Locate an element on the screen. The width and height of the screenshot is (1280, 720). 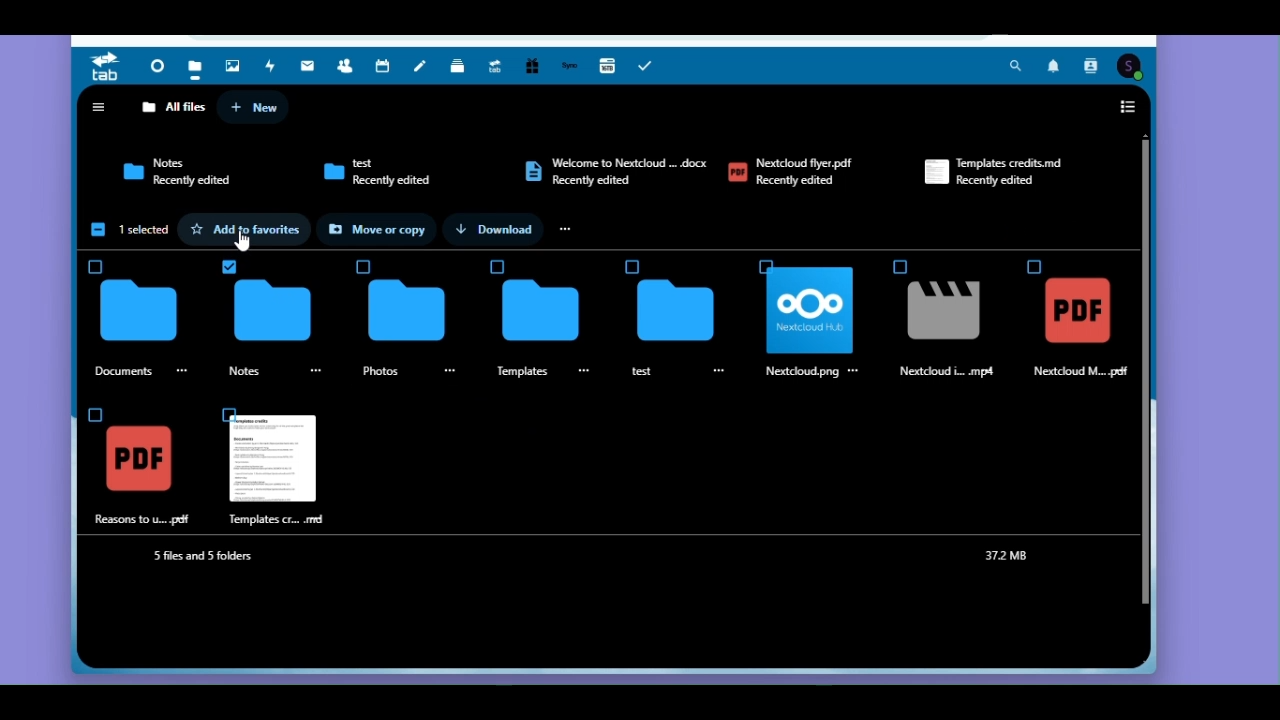
Photos is located at coordinates (379, 370).